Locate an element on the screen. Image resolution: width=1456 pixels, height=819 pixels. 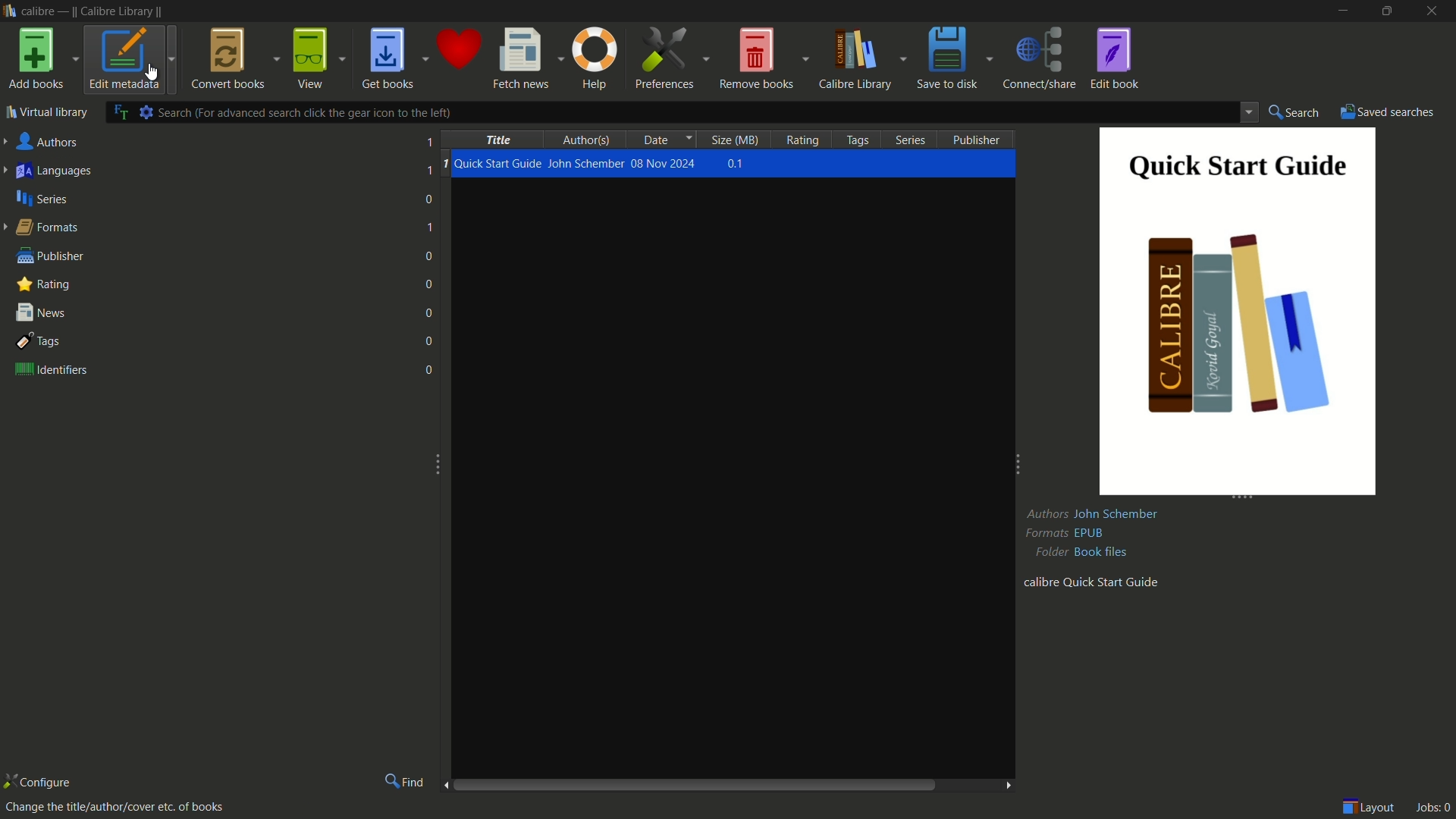
series is located at coordinates (48, 199).